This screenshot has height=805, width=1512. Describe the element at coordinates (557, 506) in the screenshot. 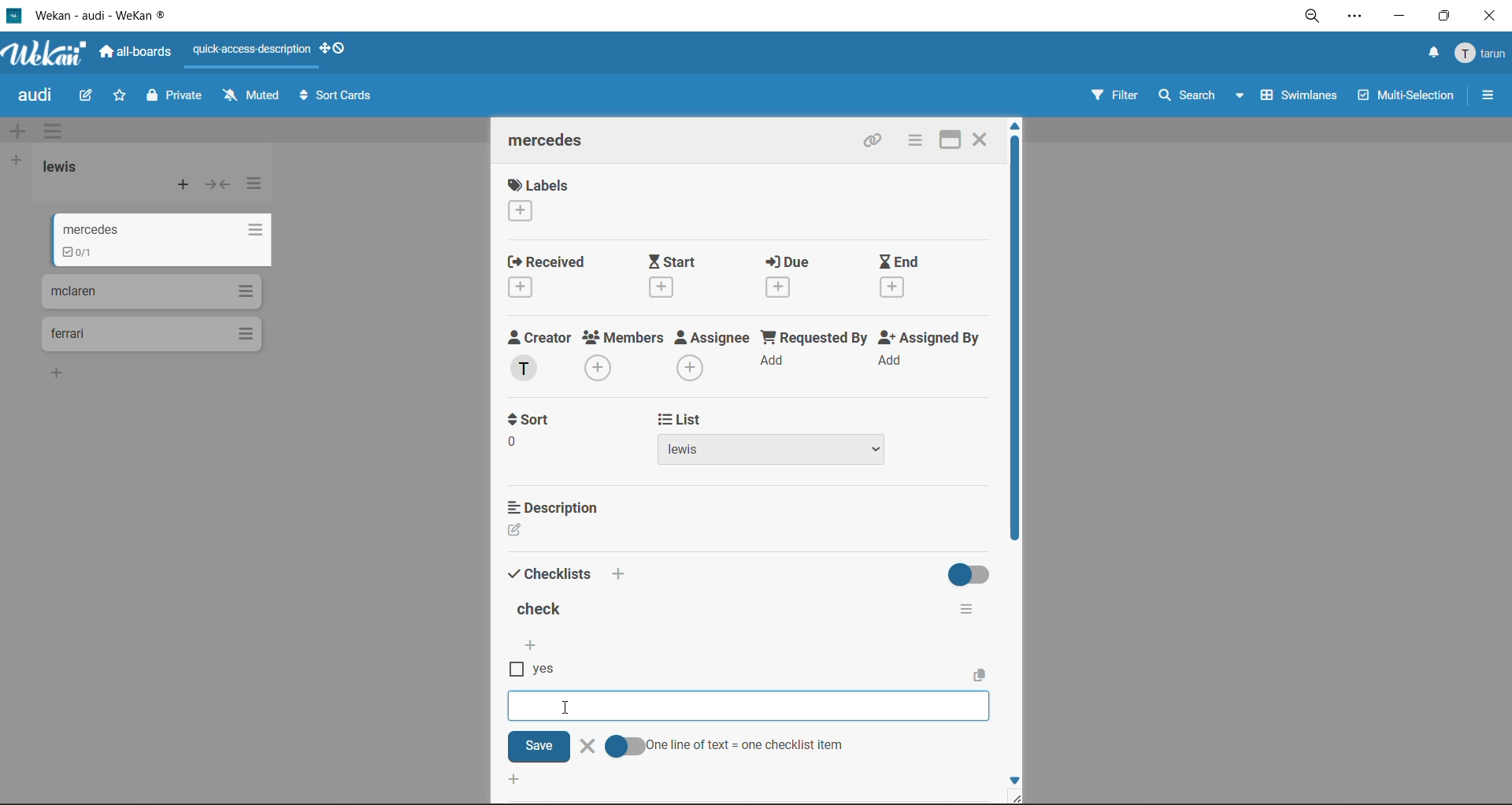

I see `desscription` at that location.